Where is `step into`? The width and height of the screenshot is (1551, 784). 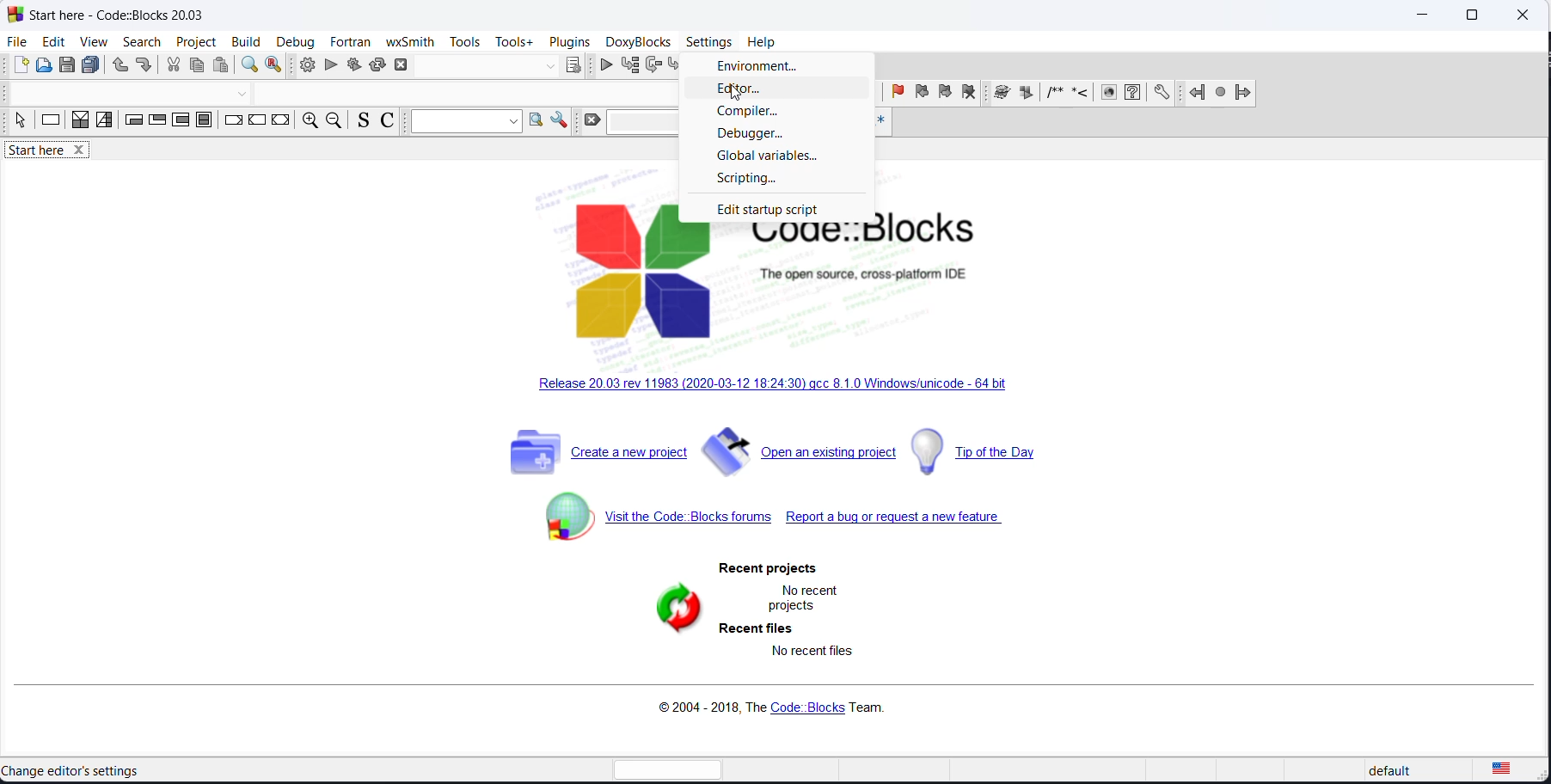
step into is located at coordinates (677, 66).